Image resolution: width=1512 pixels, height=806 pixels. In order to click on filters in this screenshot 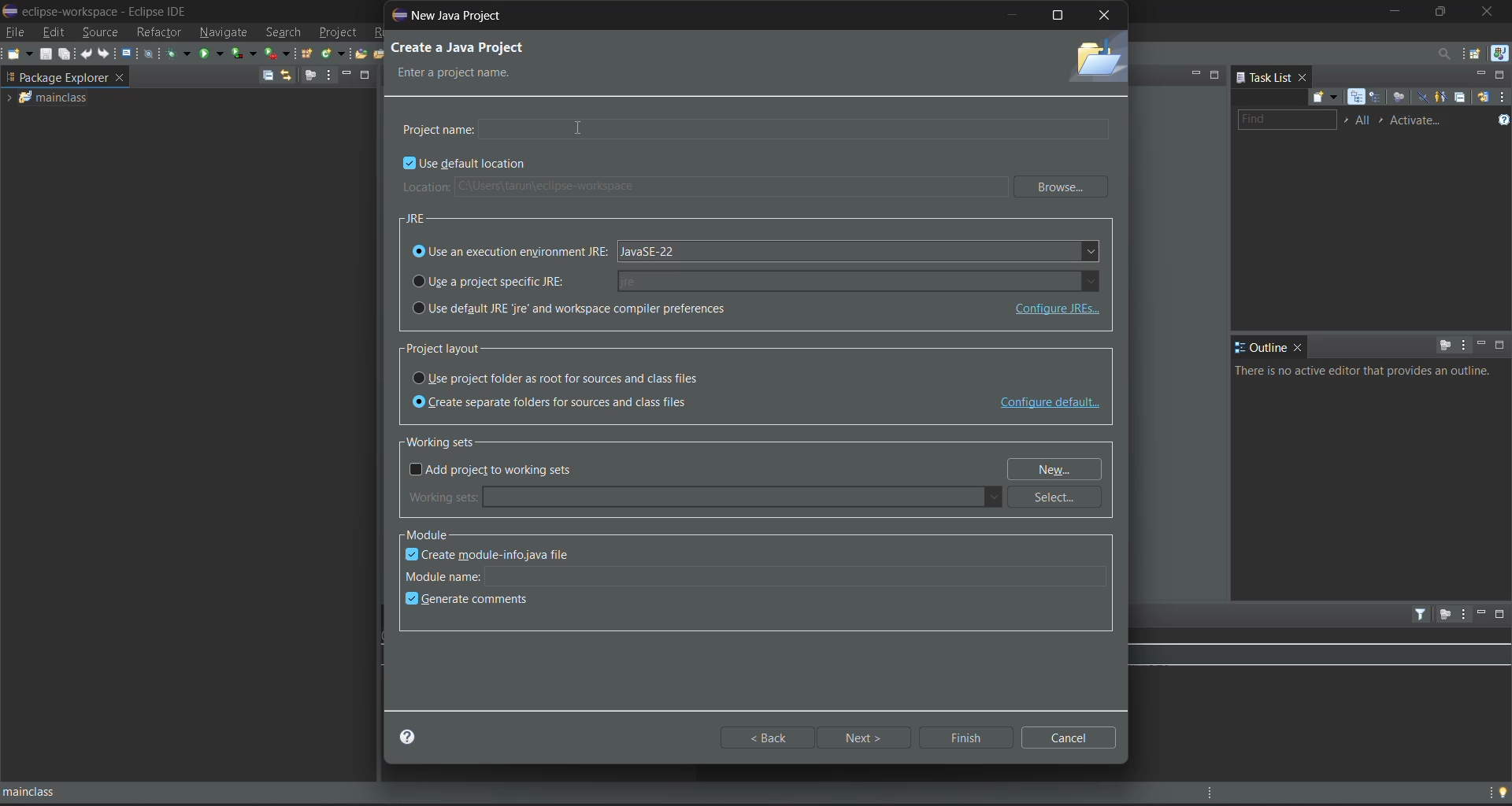, I will do `click(1422, 614)`.